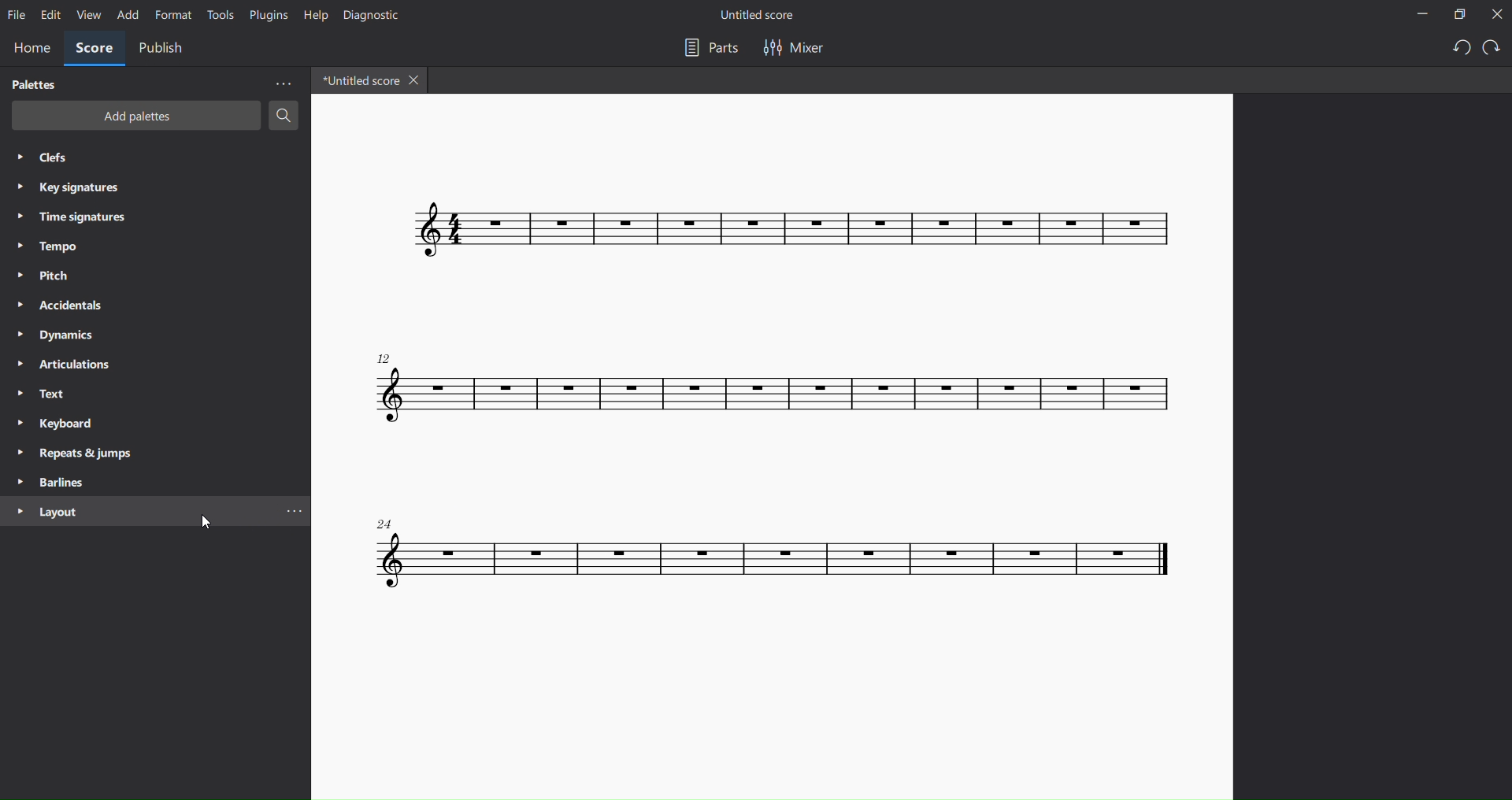 The width and height of the screenshot is (1512, 800). Describe the element at coordinates (782, 389) in the screenshot. I see `score` at that location.